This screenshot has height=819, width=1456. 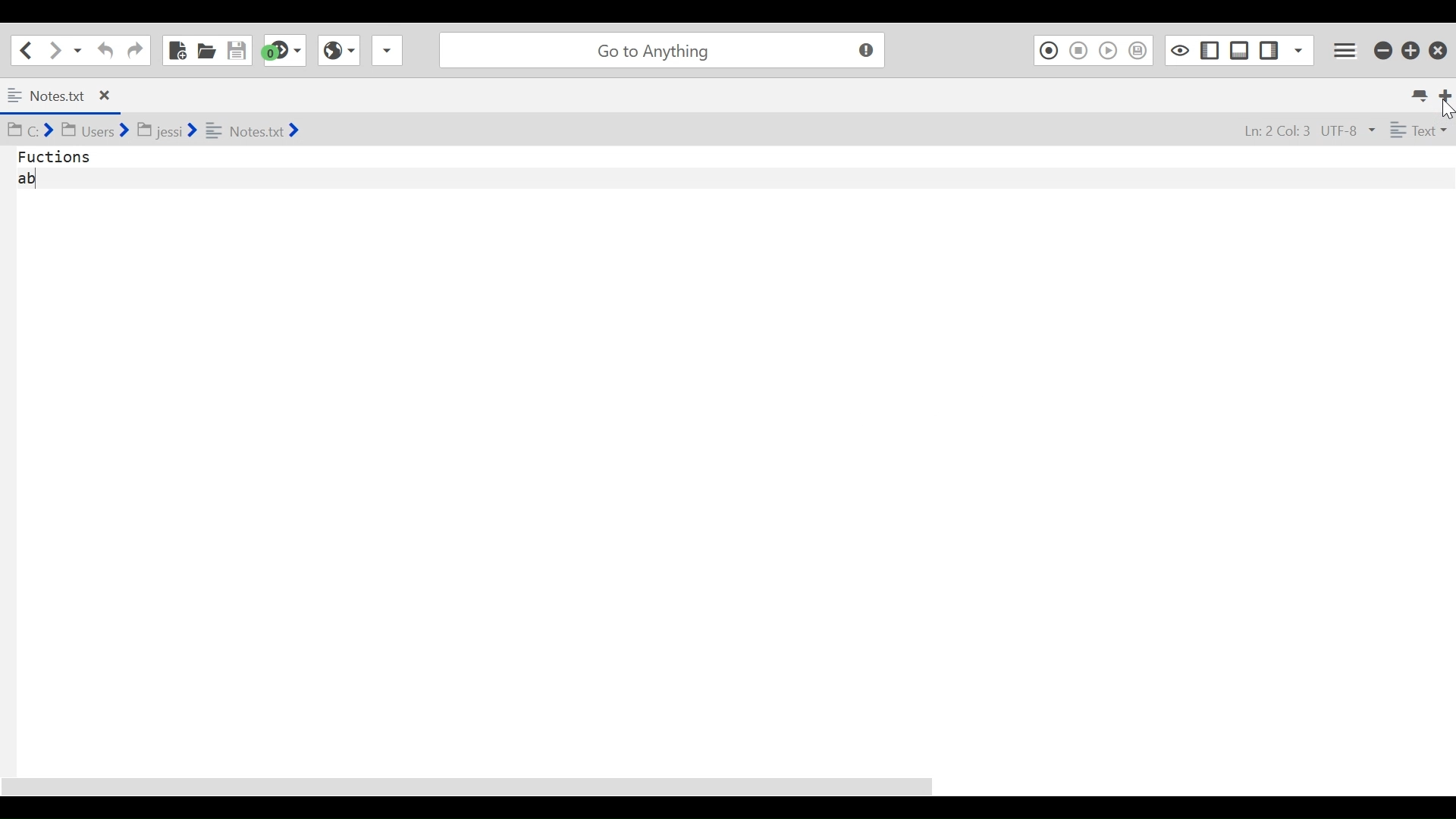 I want to click on Share File, so click(x=389, y=51).